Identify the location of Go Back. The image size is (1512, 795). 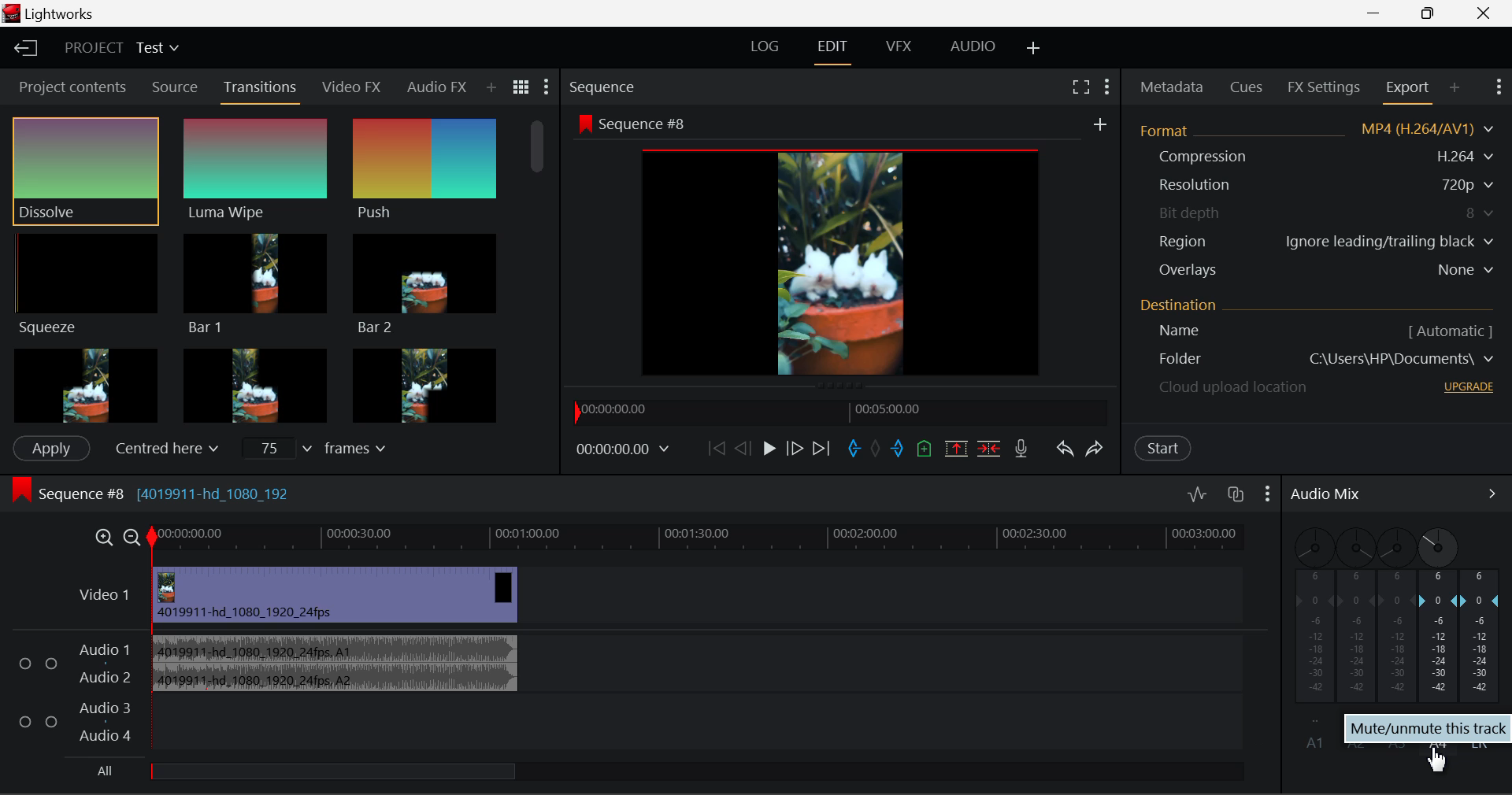
(741, 452).